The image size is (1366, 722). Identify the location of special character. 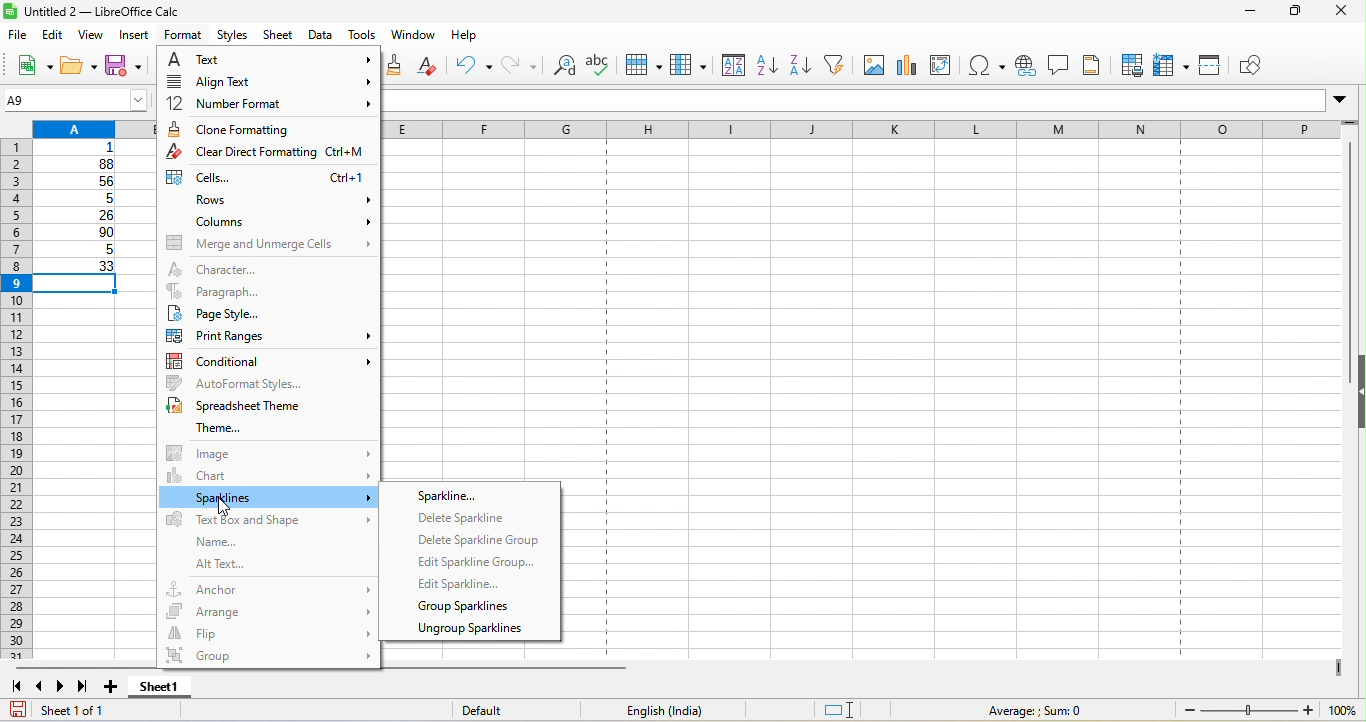
(987, 67).